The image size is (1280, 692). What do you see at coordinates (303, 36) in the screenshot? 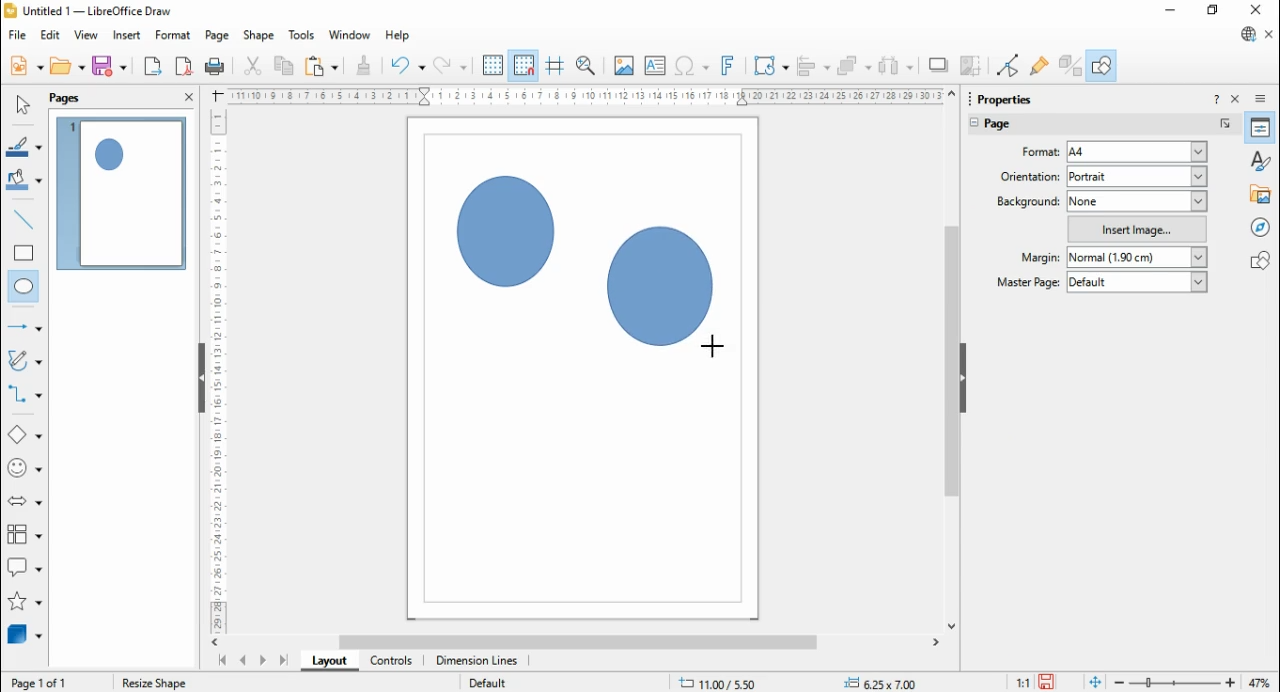
I see `tools` at bounding box center [303, 36].